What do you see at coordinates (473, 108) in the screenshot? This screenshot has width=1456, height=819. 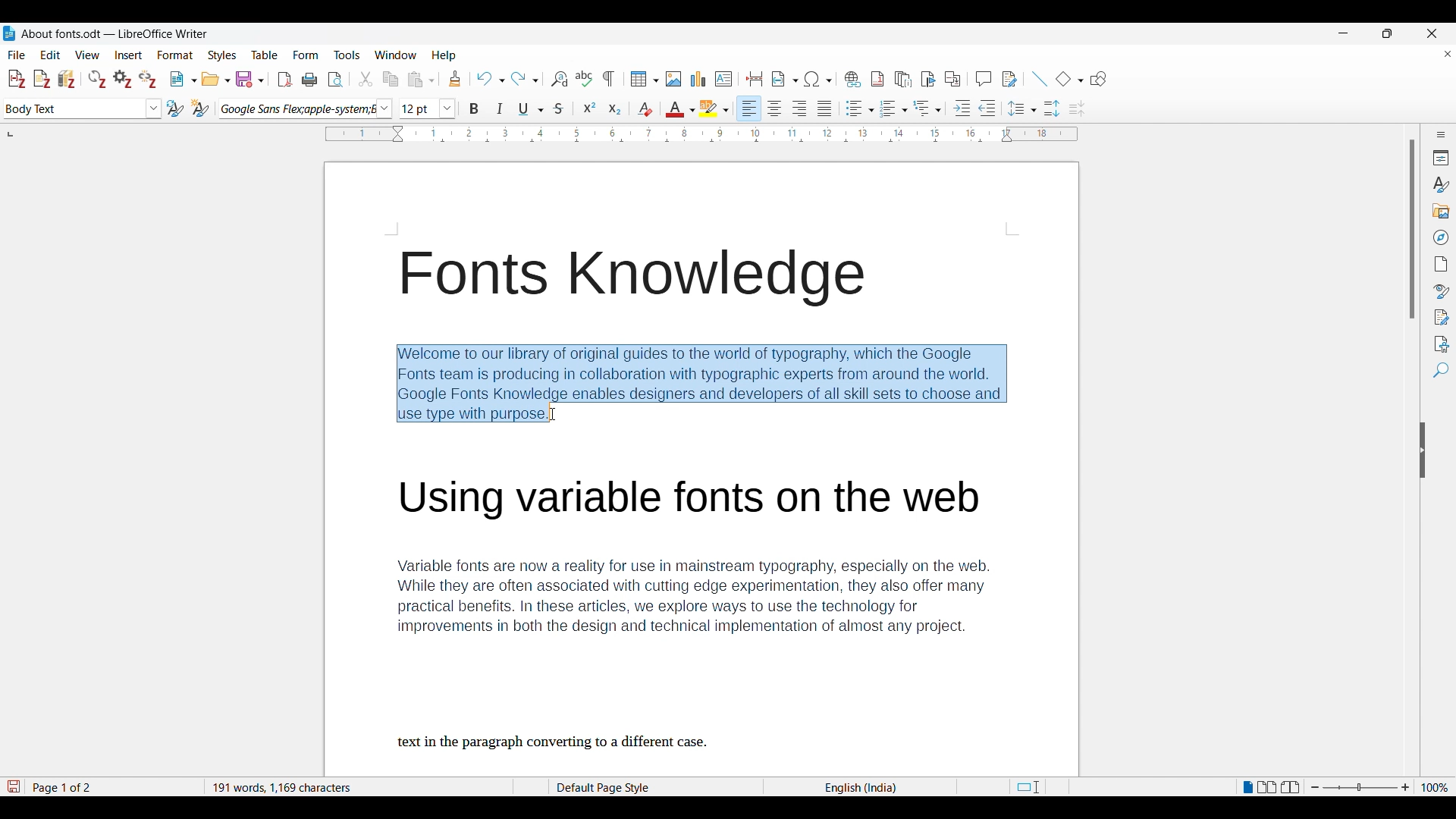 I see `Bold` at bounding box center [473, 108].